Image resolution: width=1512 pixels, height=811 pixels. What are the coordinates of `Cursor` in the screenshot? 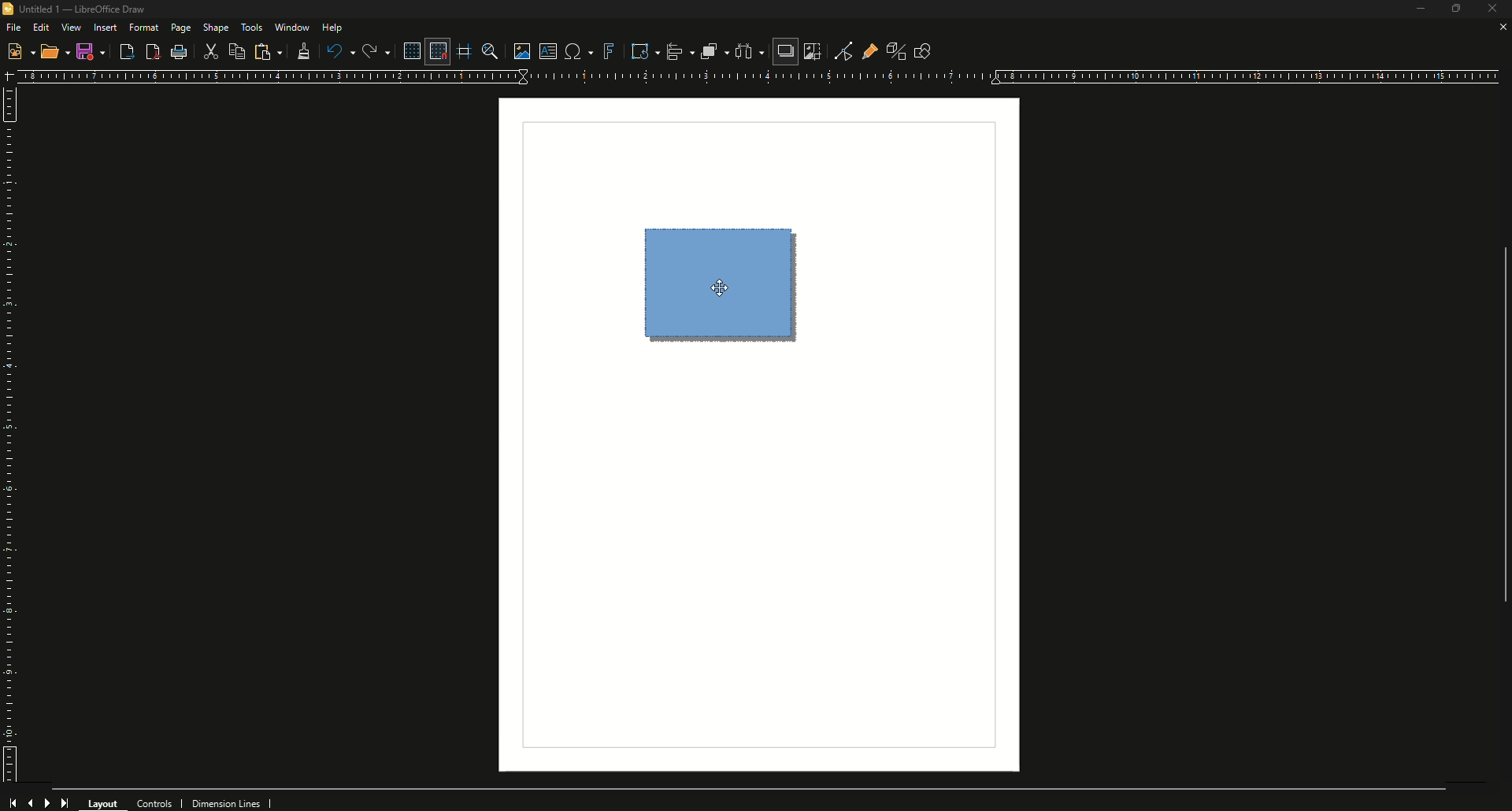 It's located at (718, 290).